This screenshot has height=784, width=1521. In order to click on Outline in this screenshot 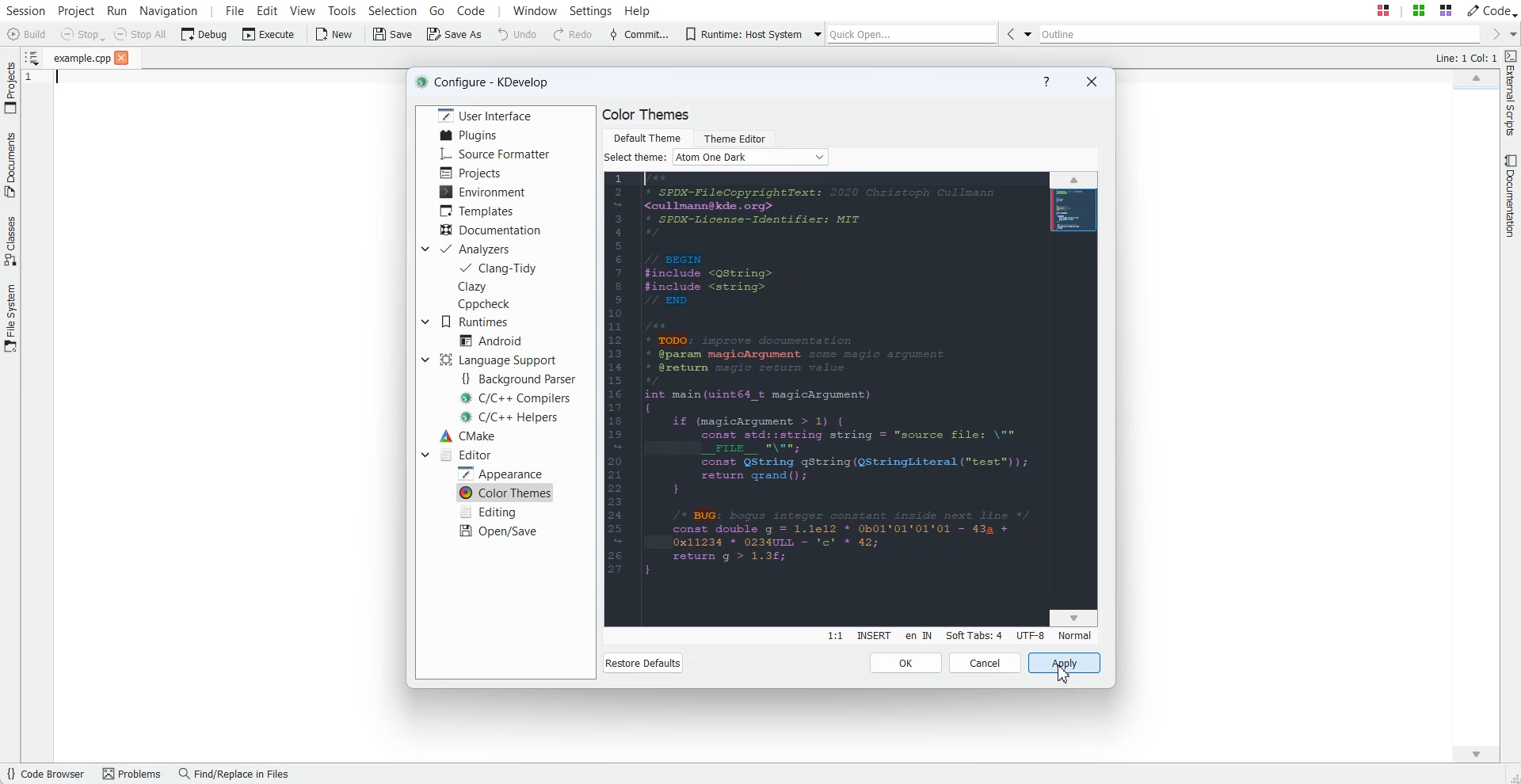, I will do `click(1258, 34)`.